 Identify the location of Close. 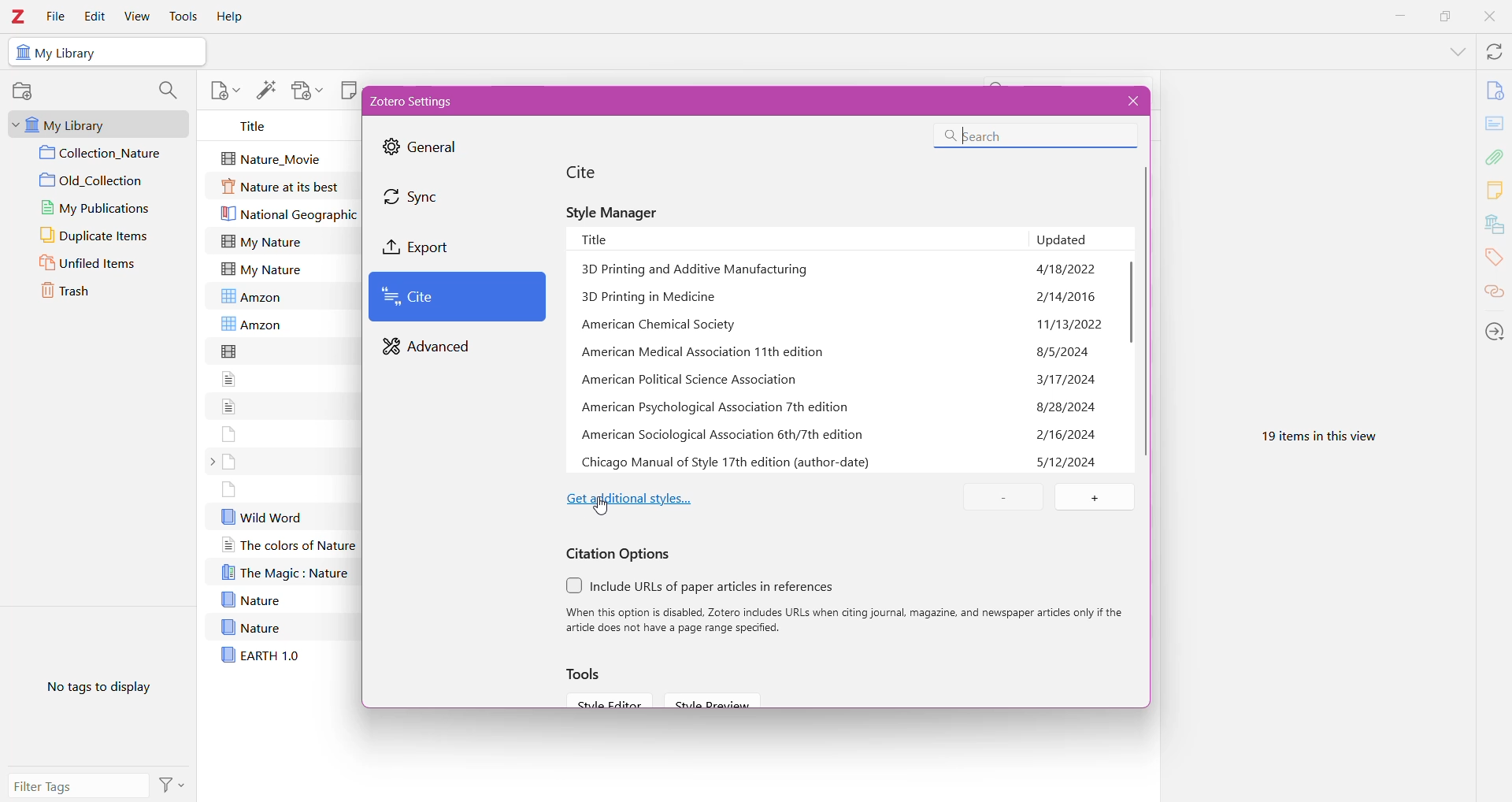
(1130, 101).